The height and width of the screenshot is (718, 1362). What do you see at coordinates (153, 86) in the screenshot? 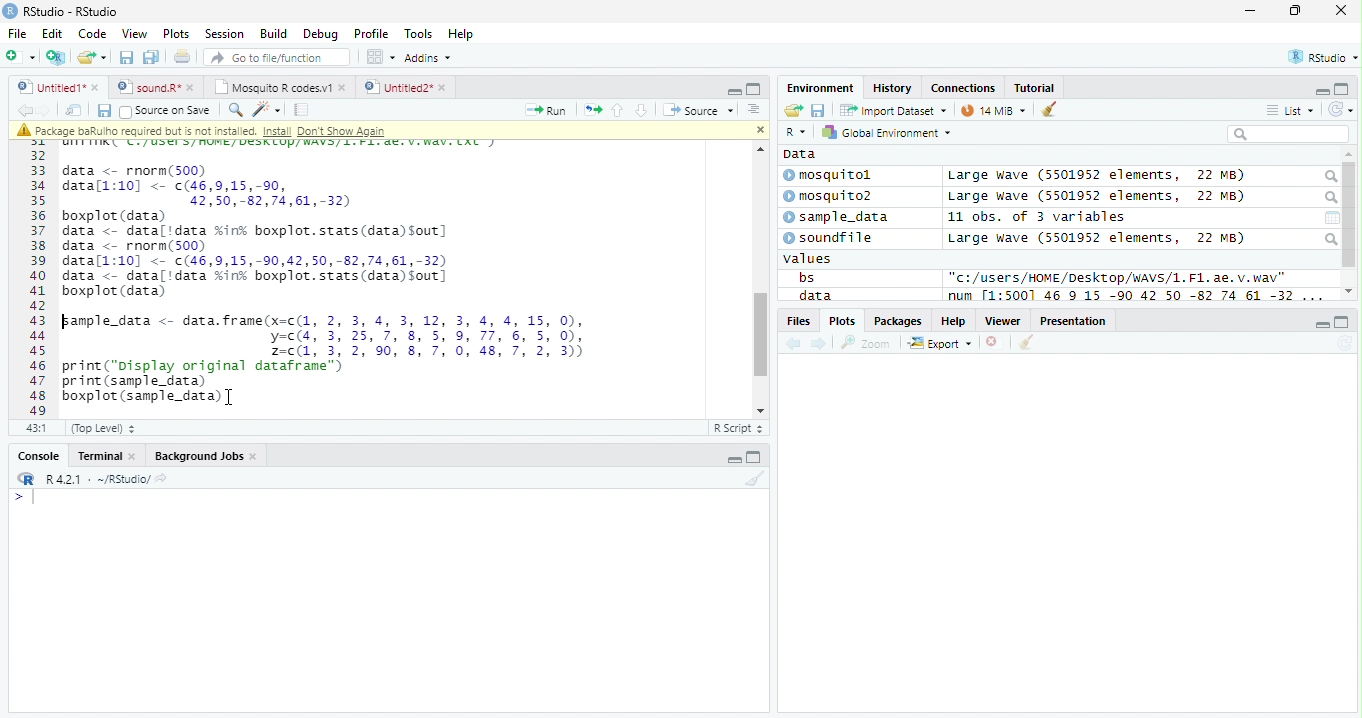
I see `sound.R*` at bounding box center [153, 86].